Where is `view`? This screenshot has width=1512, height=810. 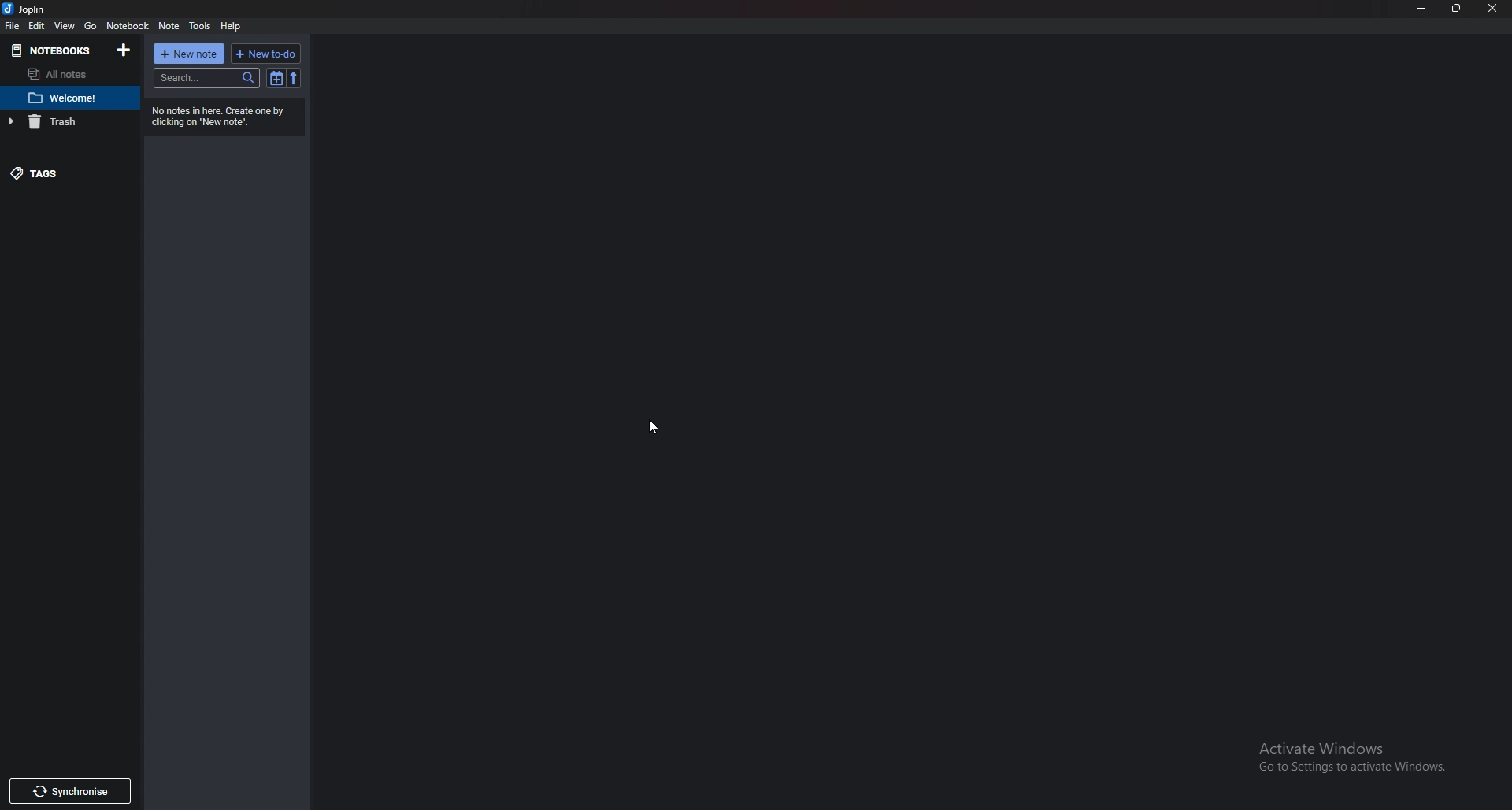 view is located at coordinates (66, 25).